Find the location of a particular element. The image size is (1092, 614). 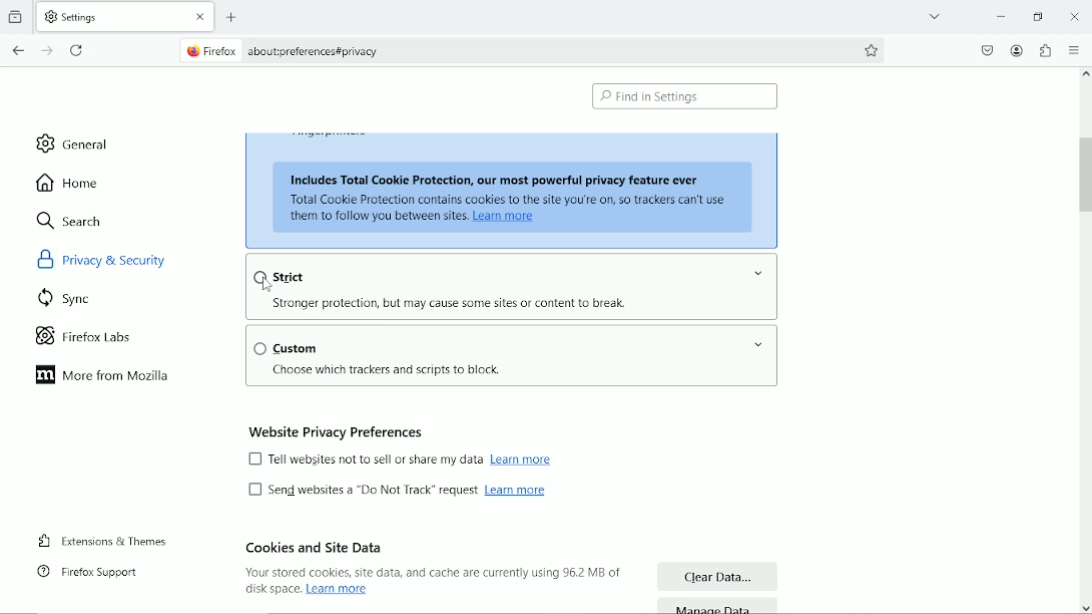

Checkbox  is located at coordinates (255, 488).